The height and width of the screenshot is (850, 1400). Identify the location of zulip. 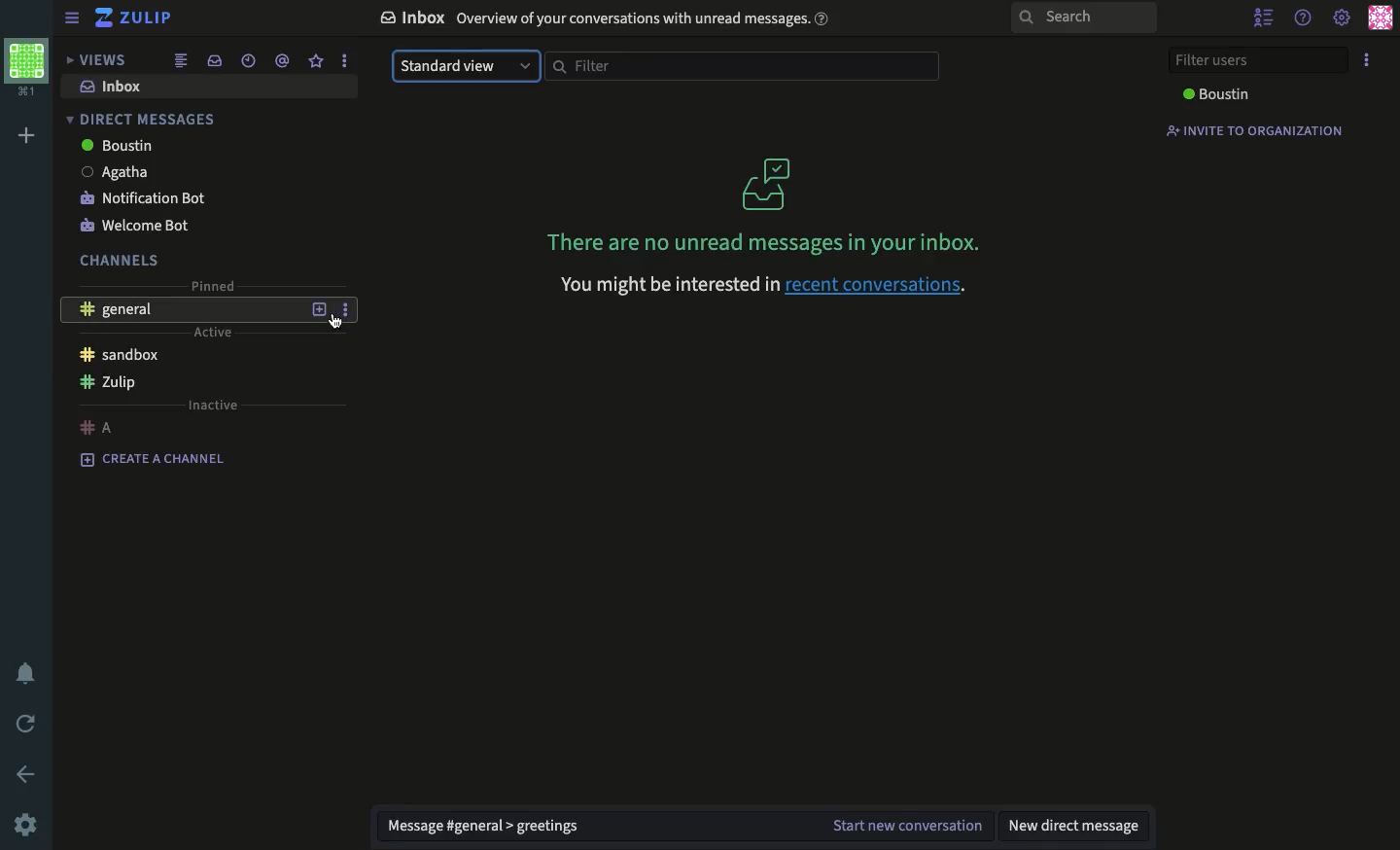
(107, 382).